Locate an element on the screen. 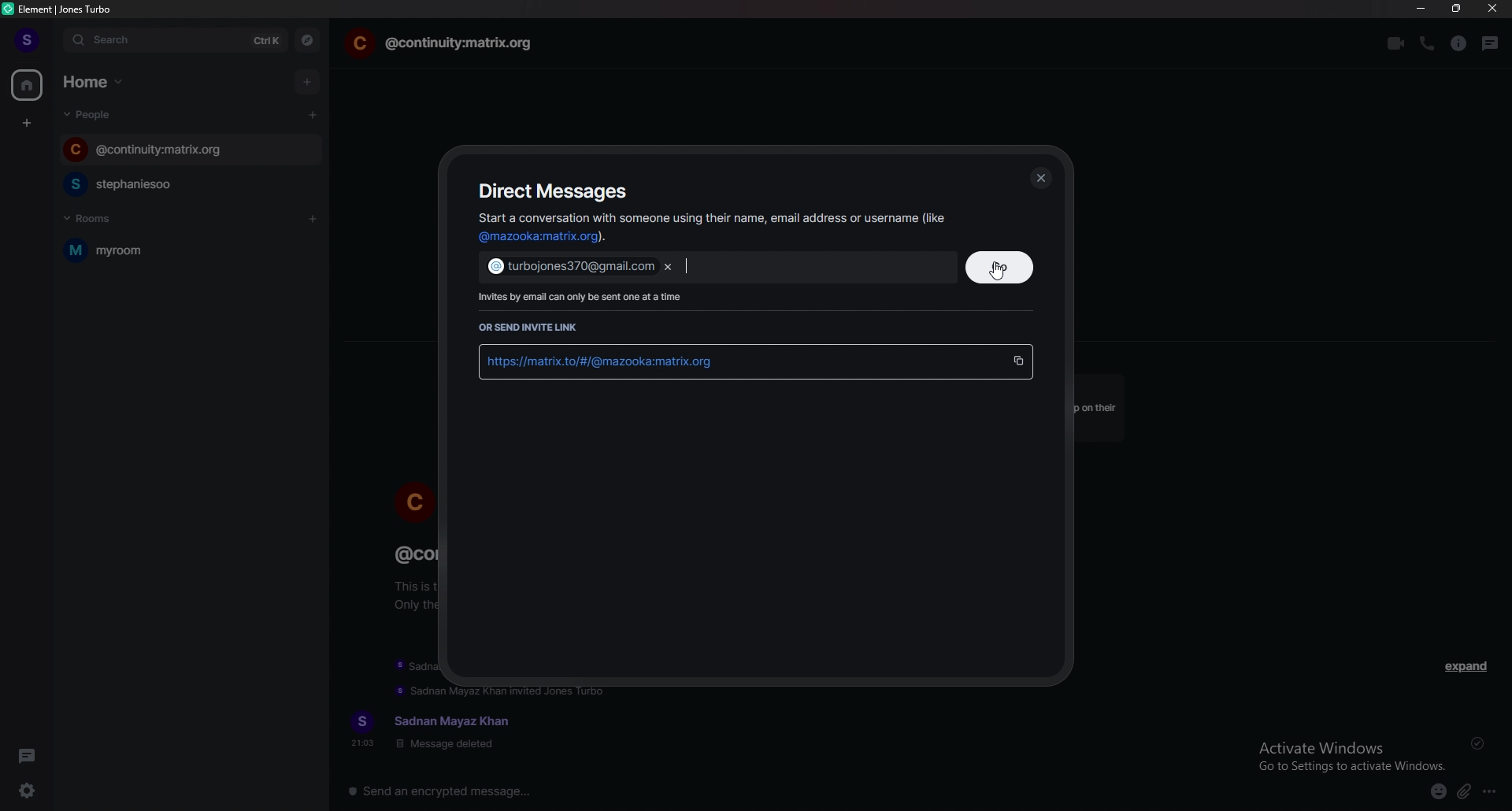  voice call is located at coordinates (1425, 43).